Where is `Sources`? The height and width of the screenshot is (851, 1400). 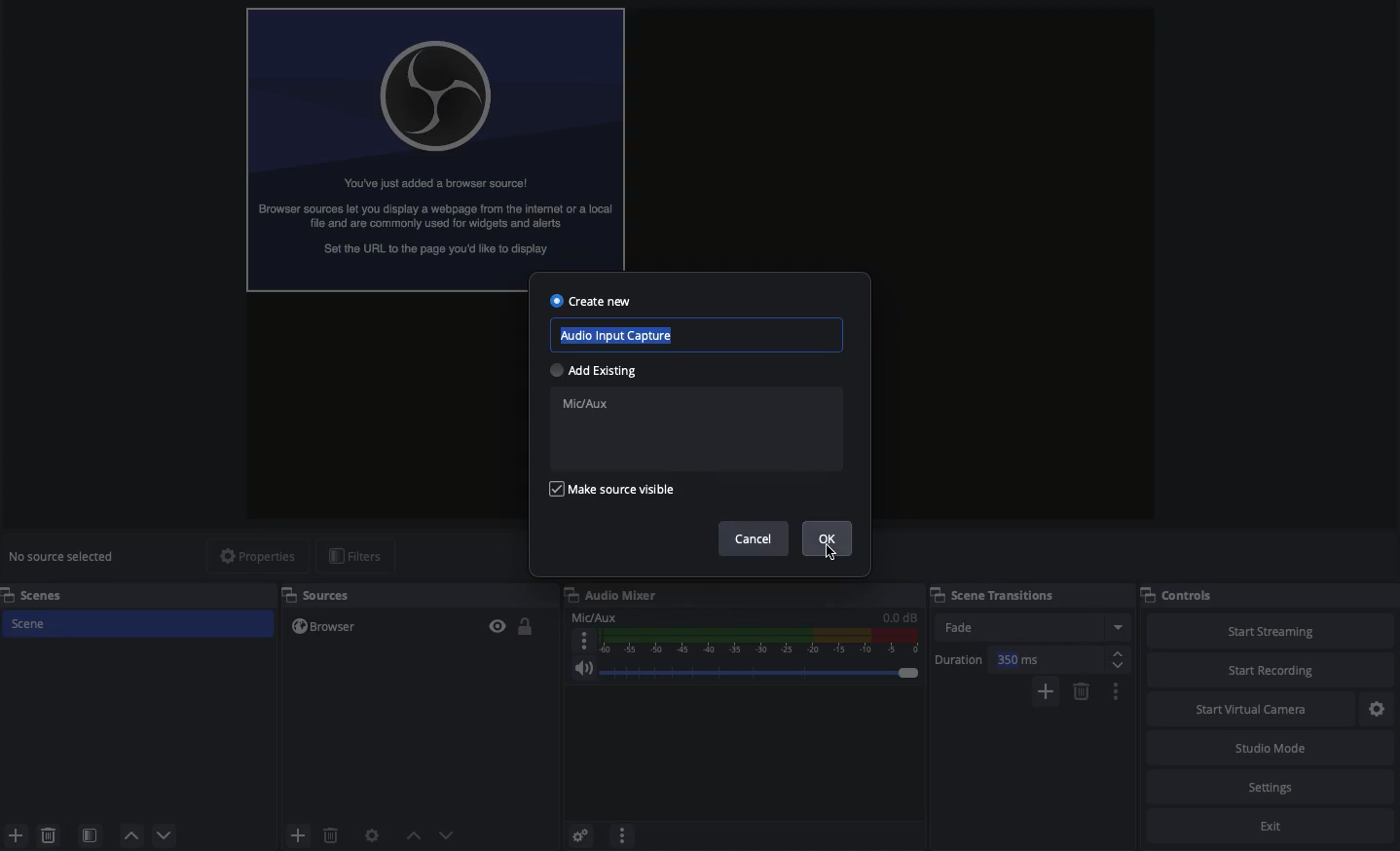 Sources is located at coordinates (313, 597).